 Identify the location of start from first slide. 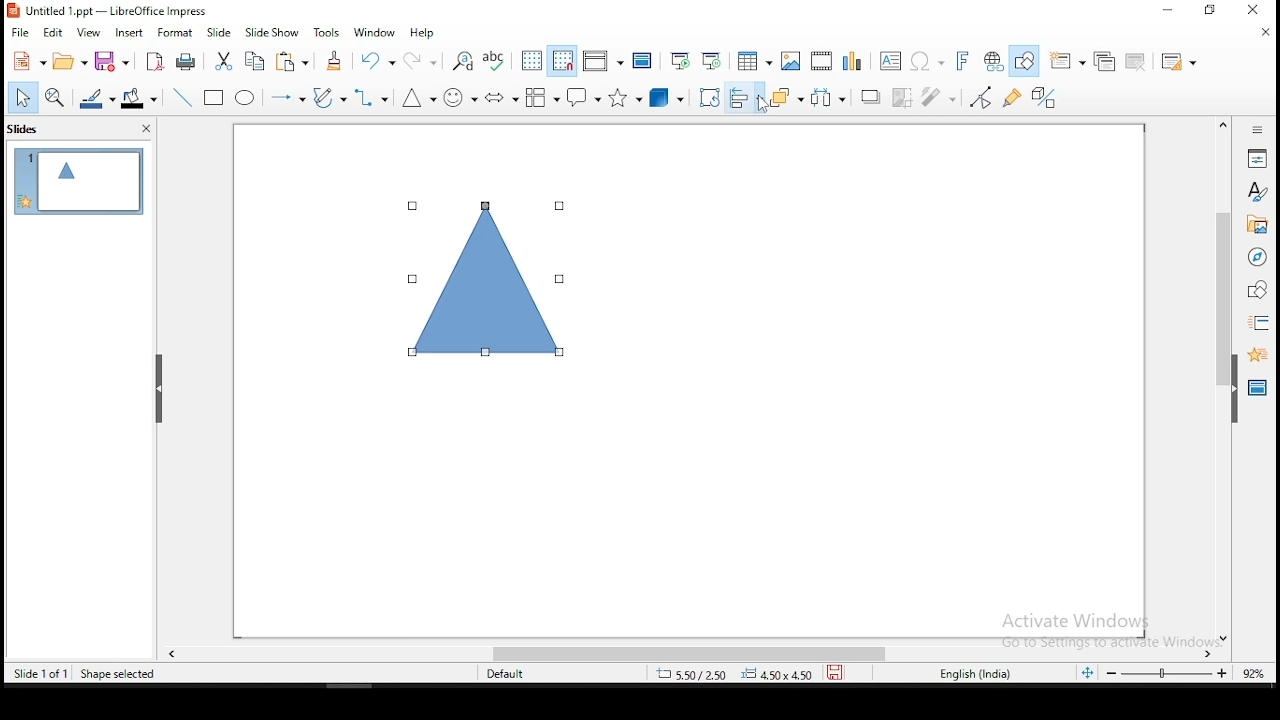
(680, 60).